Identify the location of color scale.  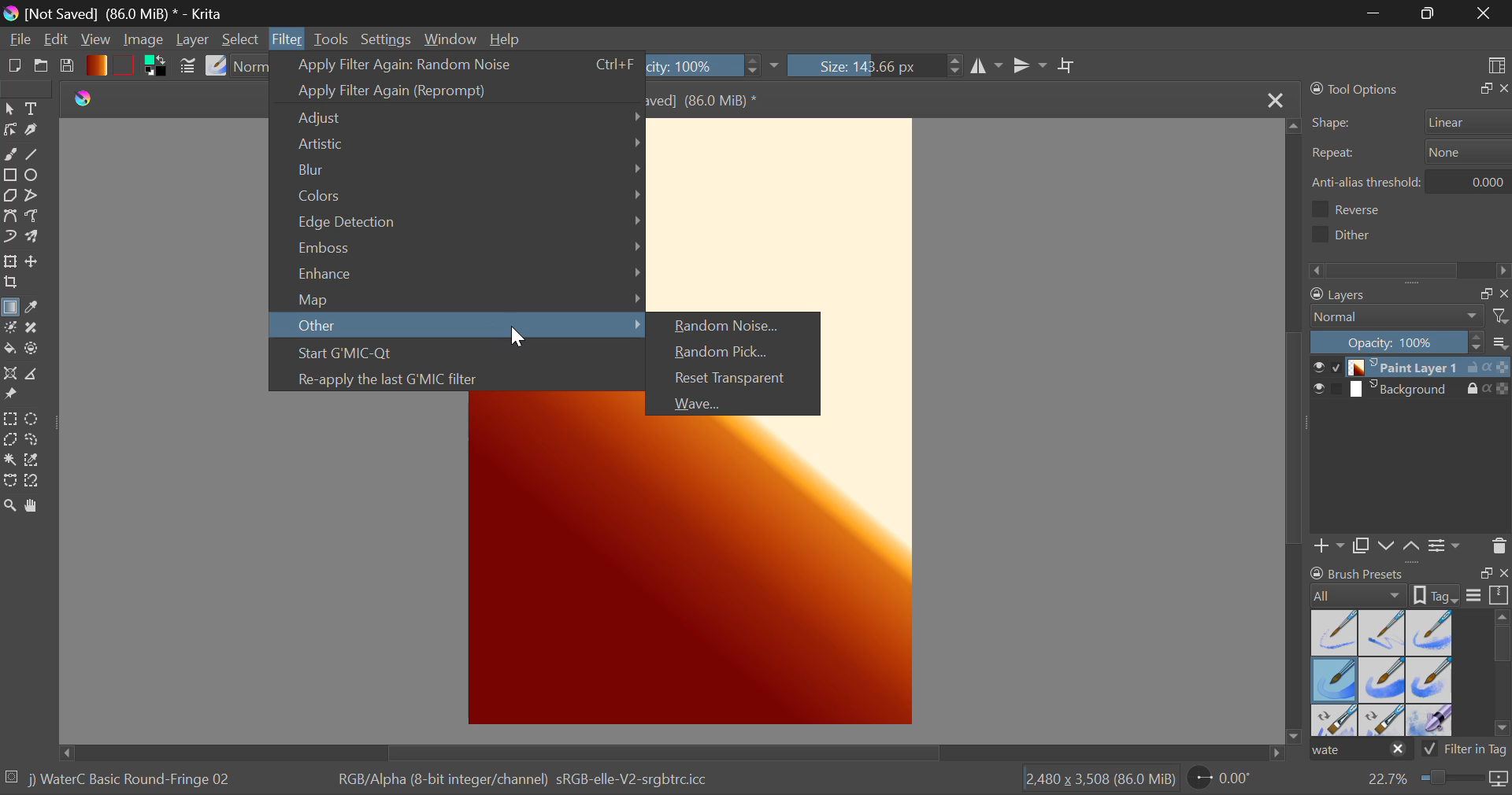
(1503, 368).